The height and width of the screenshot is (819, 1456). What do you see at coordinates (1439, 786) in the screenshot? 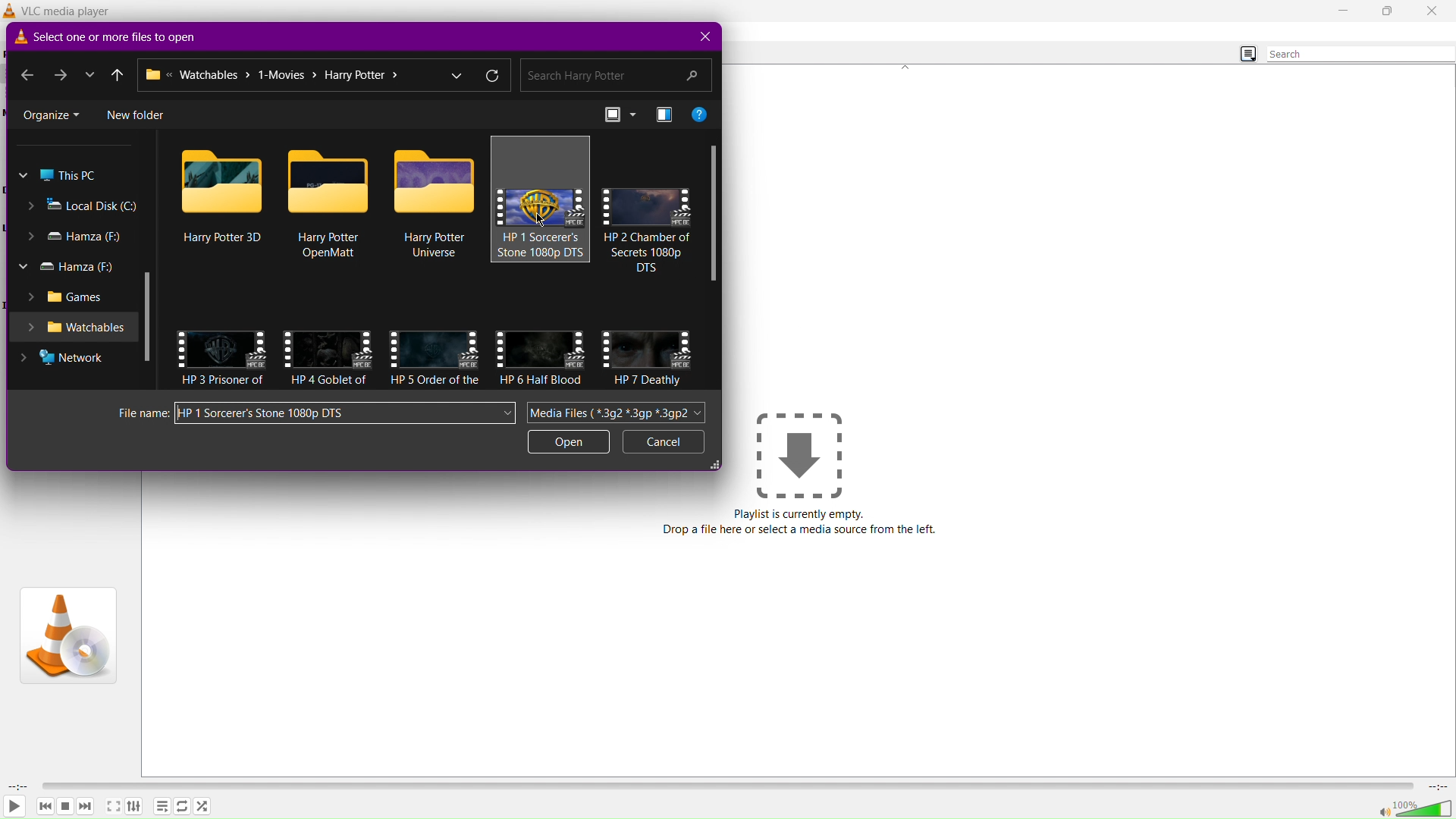
I see `Remaining time` at bounding box center [1439, 786].